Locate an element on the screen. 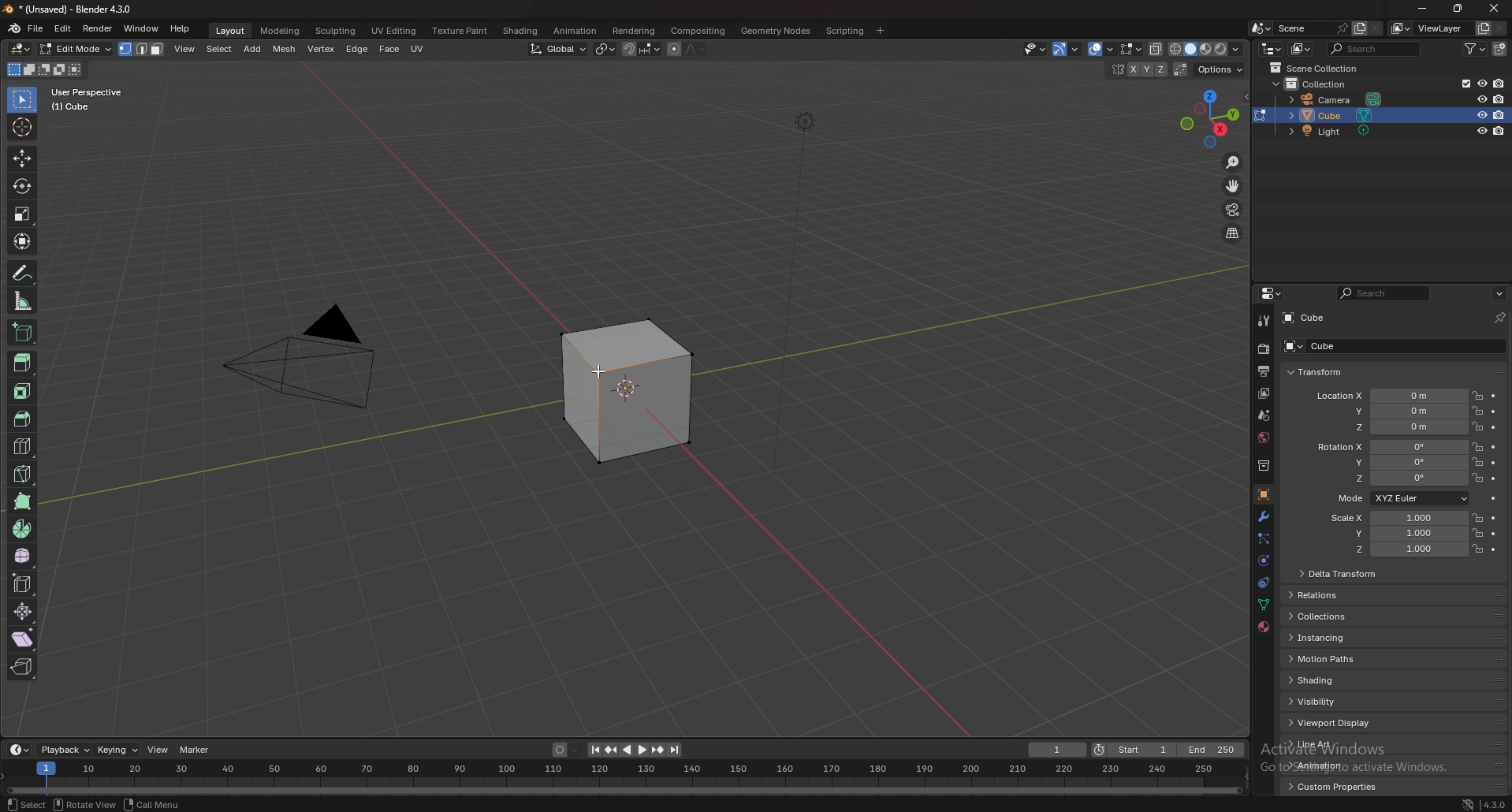  transform is located at coordinates (23, 242).